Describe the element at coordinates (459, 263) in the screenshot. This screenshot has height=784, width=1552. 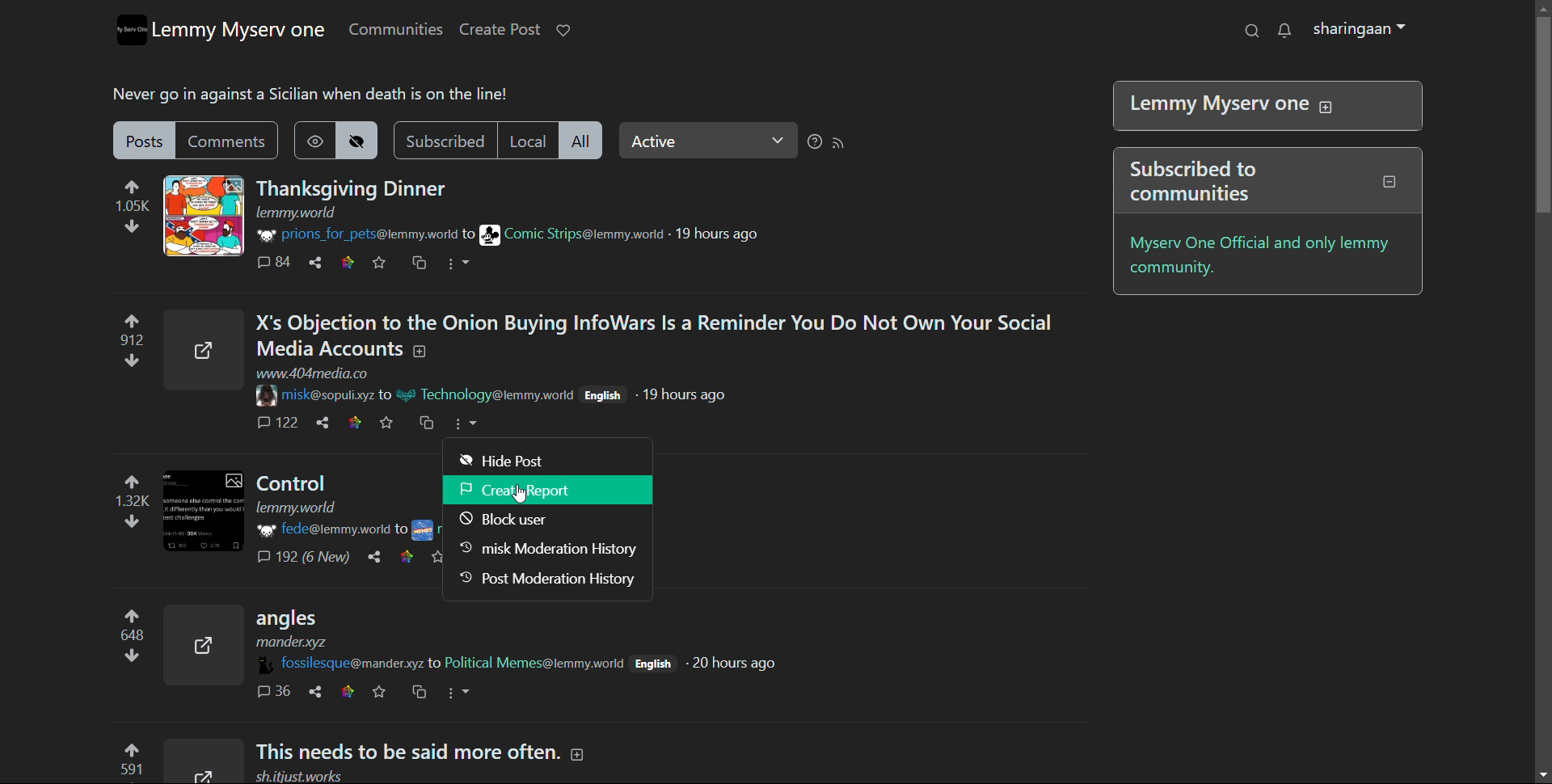
I see `options` at that location.